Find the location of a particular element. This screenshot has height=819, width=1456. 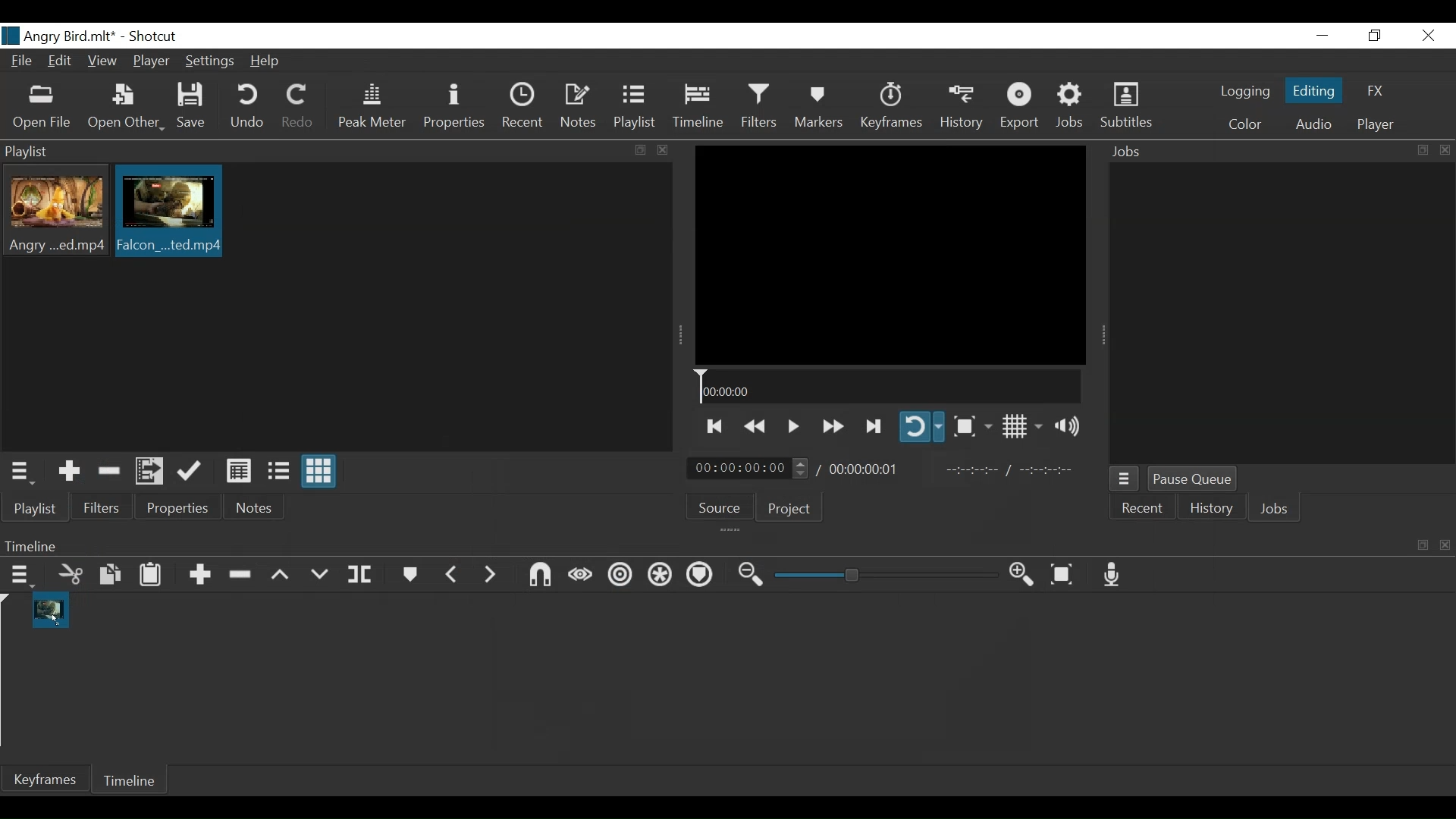

Zoom timeline out is located at coordinates (753, 575).